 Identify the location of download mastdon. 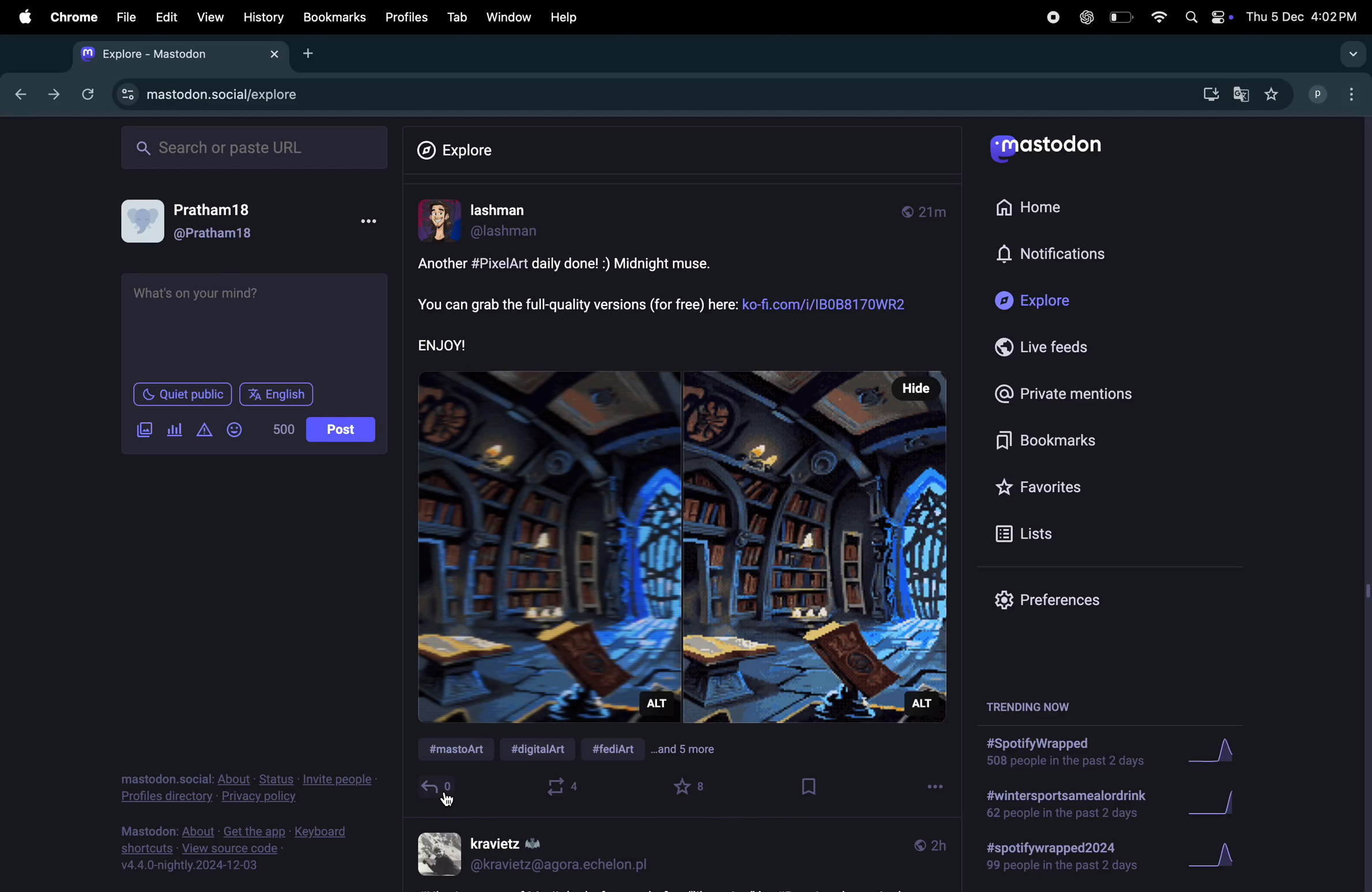
(1208, 92).